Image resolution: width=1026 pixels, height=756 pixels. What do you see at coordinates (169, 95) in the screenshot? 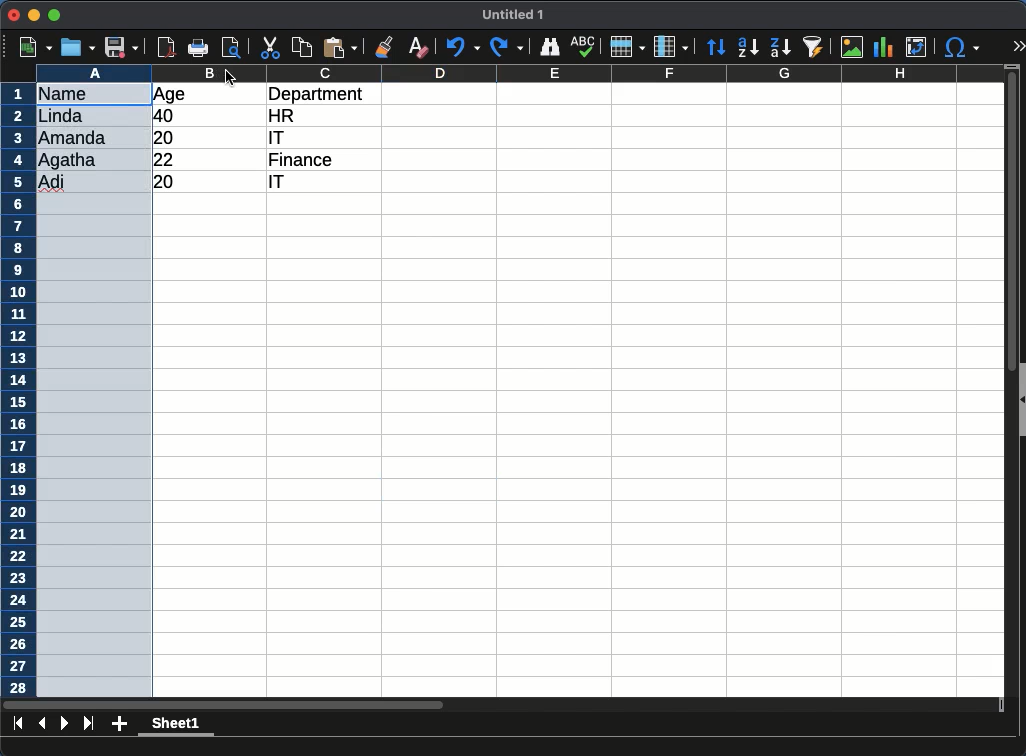
I see `age` at bounding box center [169, 95].